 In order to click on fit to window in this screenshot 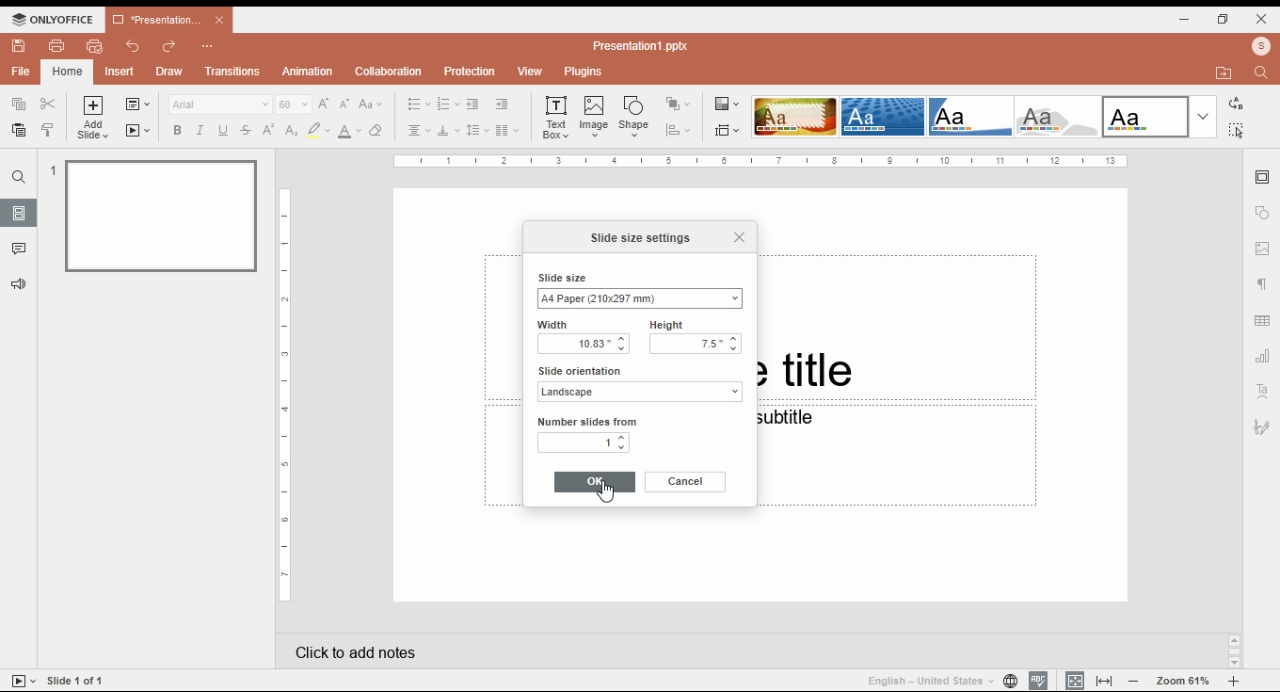, I will do `click(1106, 680)`.